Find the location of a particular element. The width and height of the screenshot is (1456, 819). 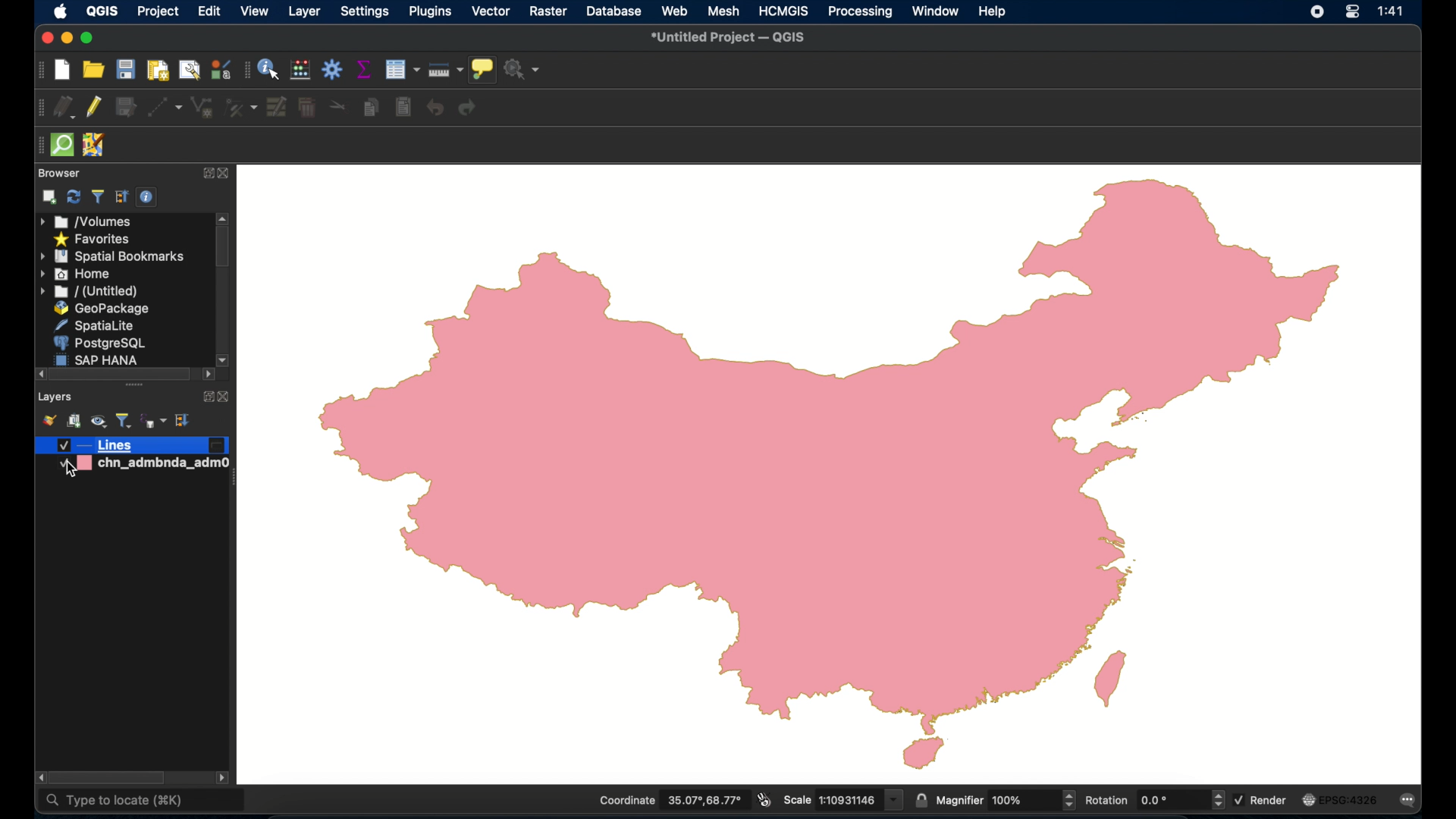

print layout is located at coordinates (156, 70).